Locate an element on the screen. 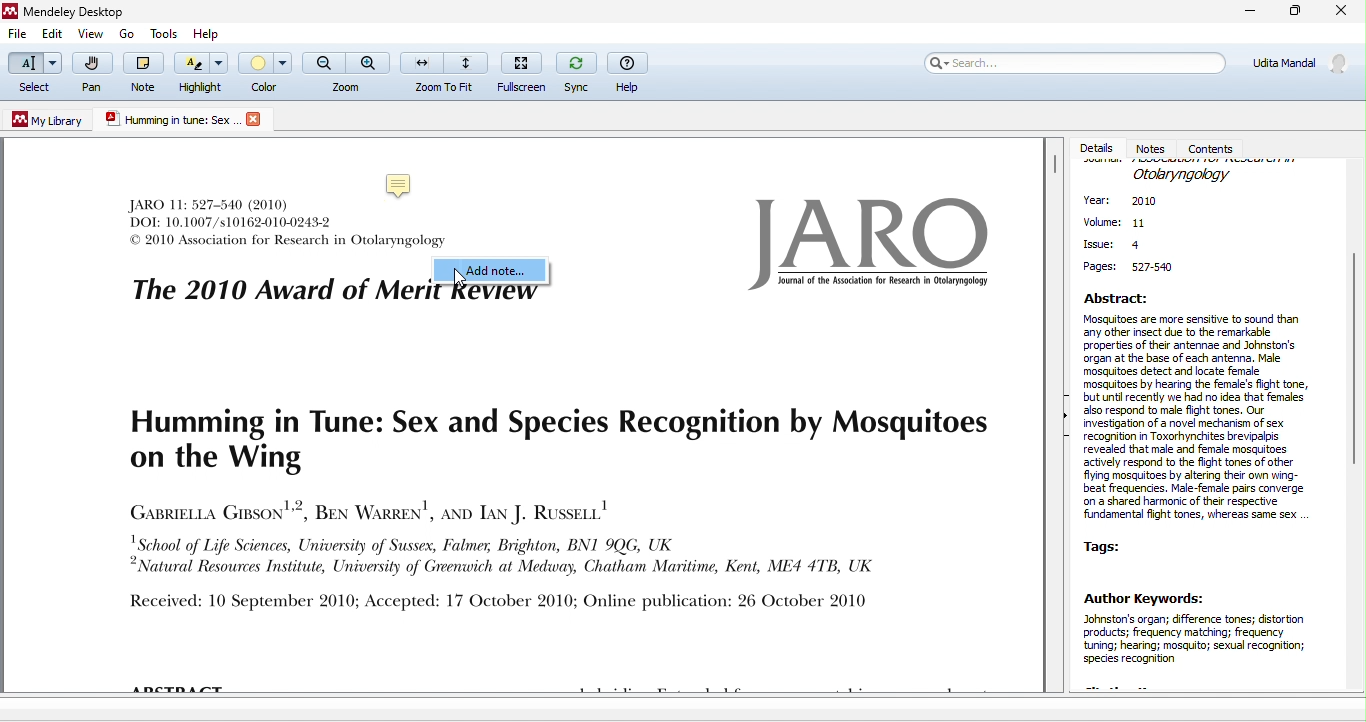  notes is located at coordinates (1154, 147).